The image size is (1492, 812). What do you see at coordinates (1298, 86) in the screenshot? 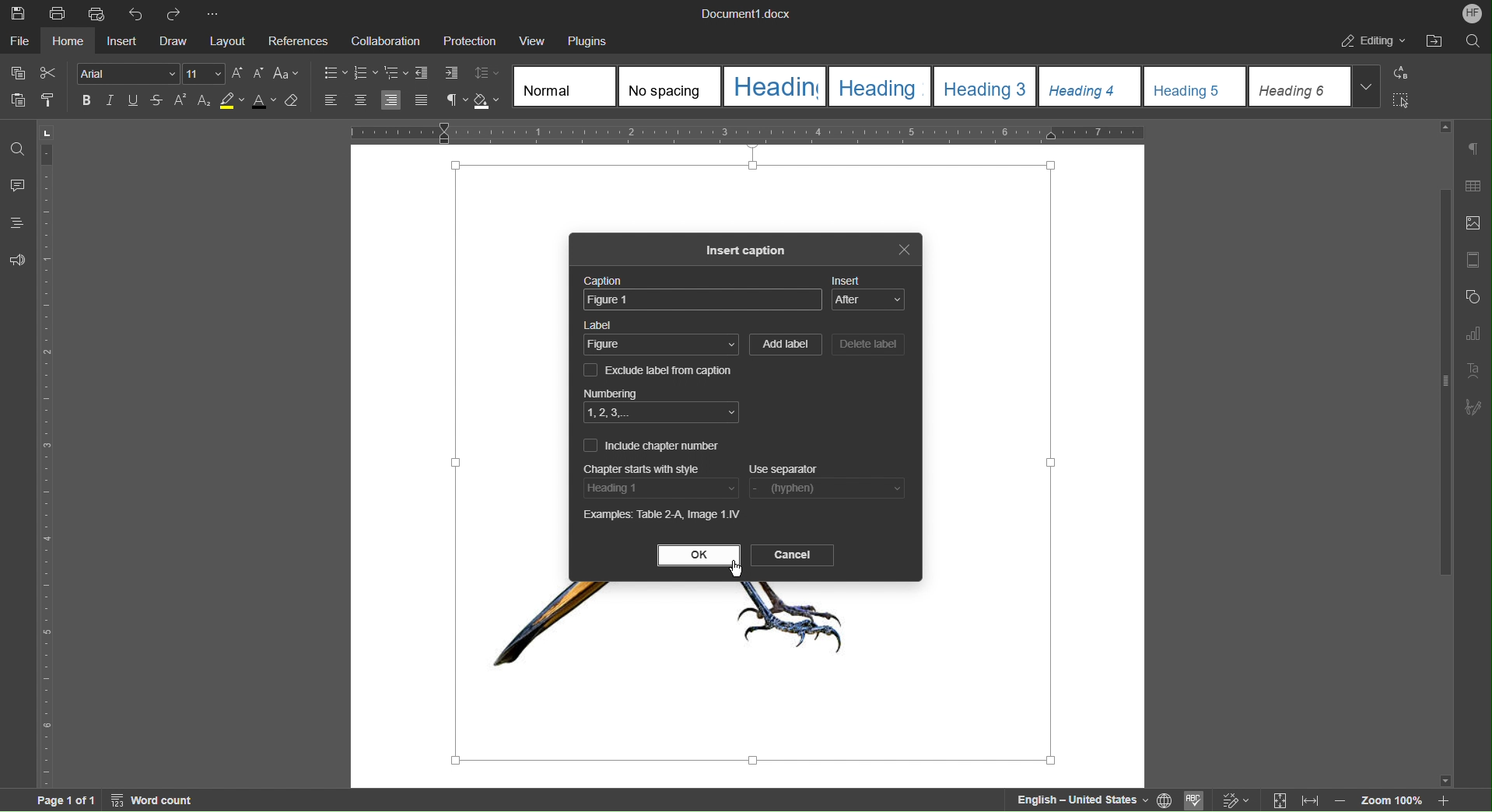
I see `Heading 6` at bounding box center [1298, 86].